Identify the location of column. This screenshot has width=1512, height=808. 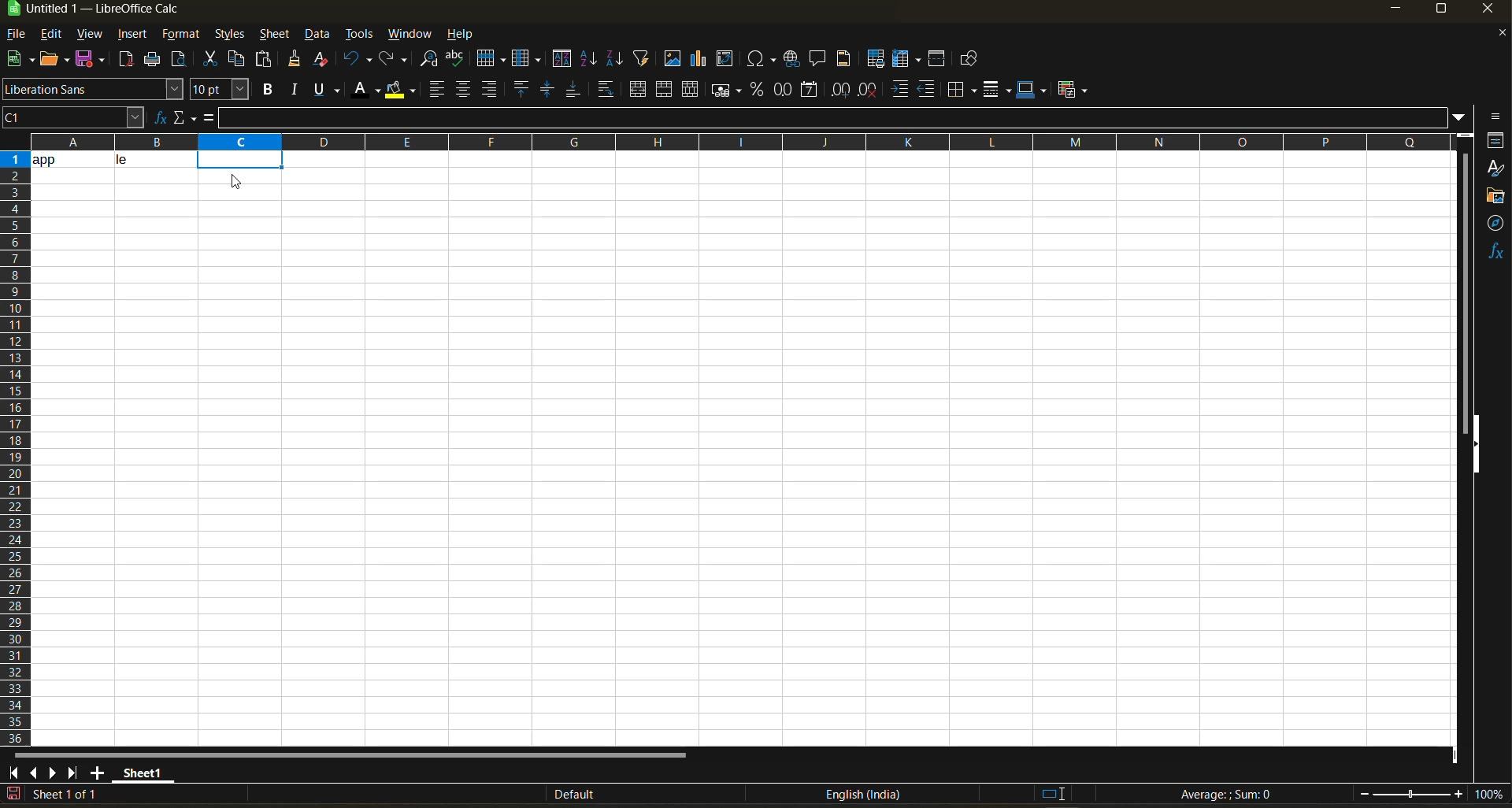
(528, 61).